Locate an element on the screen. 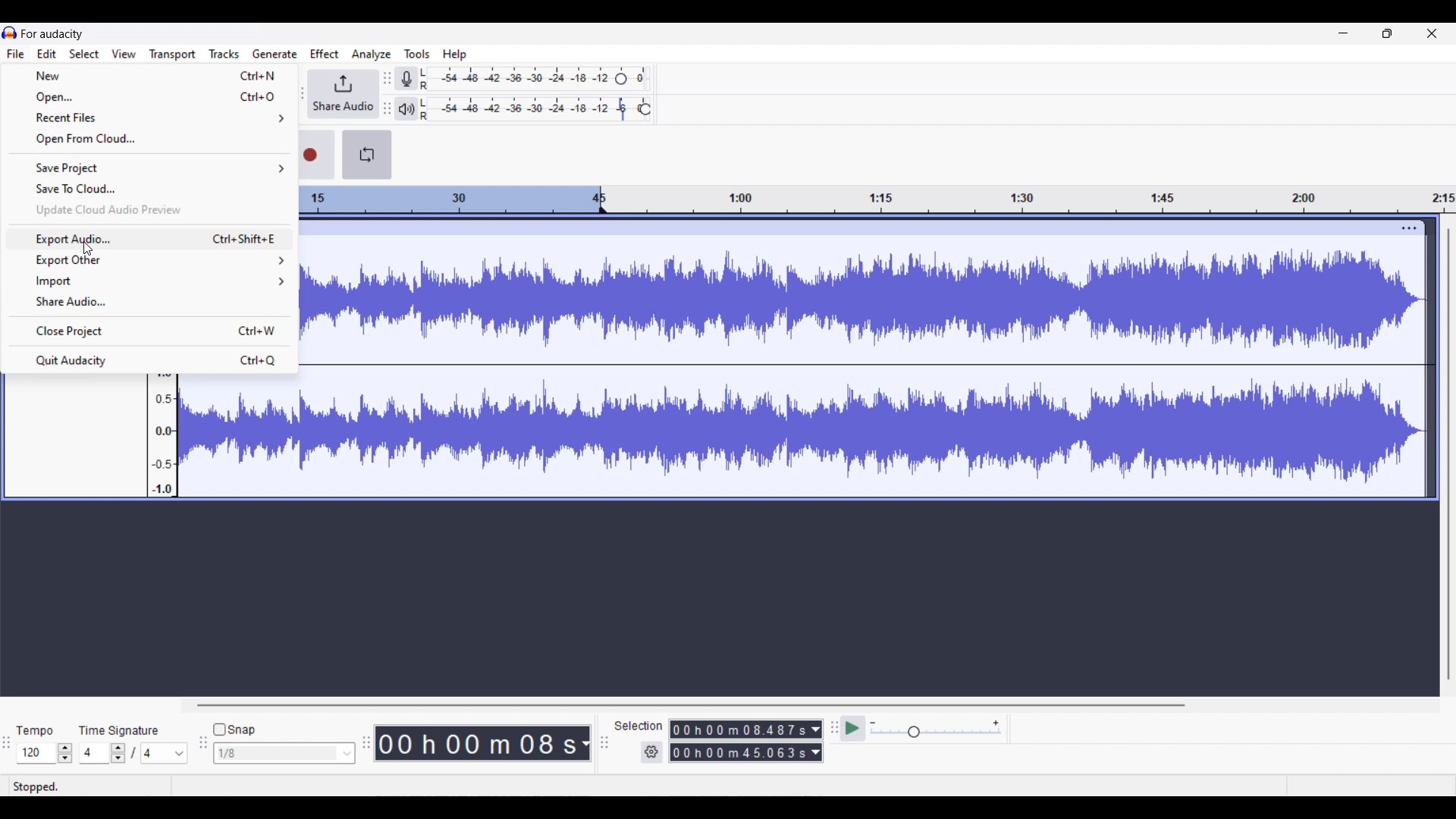  Selection settings is located at coordinates (652, 752).